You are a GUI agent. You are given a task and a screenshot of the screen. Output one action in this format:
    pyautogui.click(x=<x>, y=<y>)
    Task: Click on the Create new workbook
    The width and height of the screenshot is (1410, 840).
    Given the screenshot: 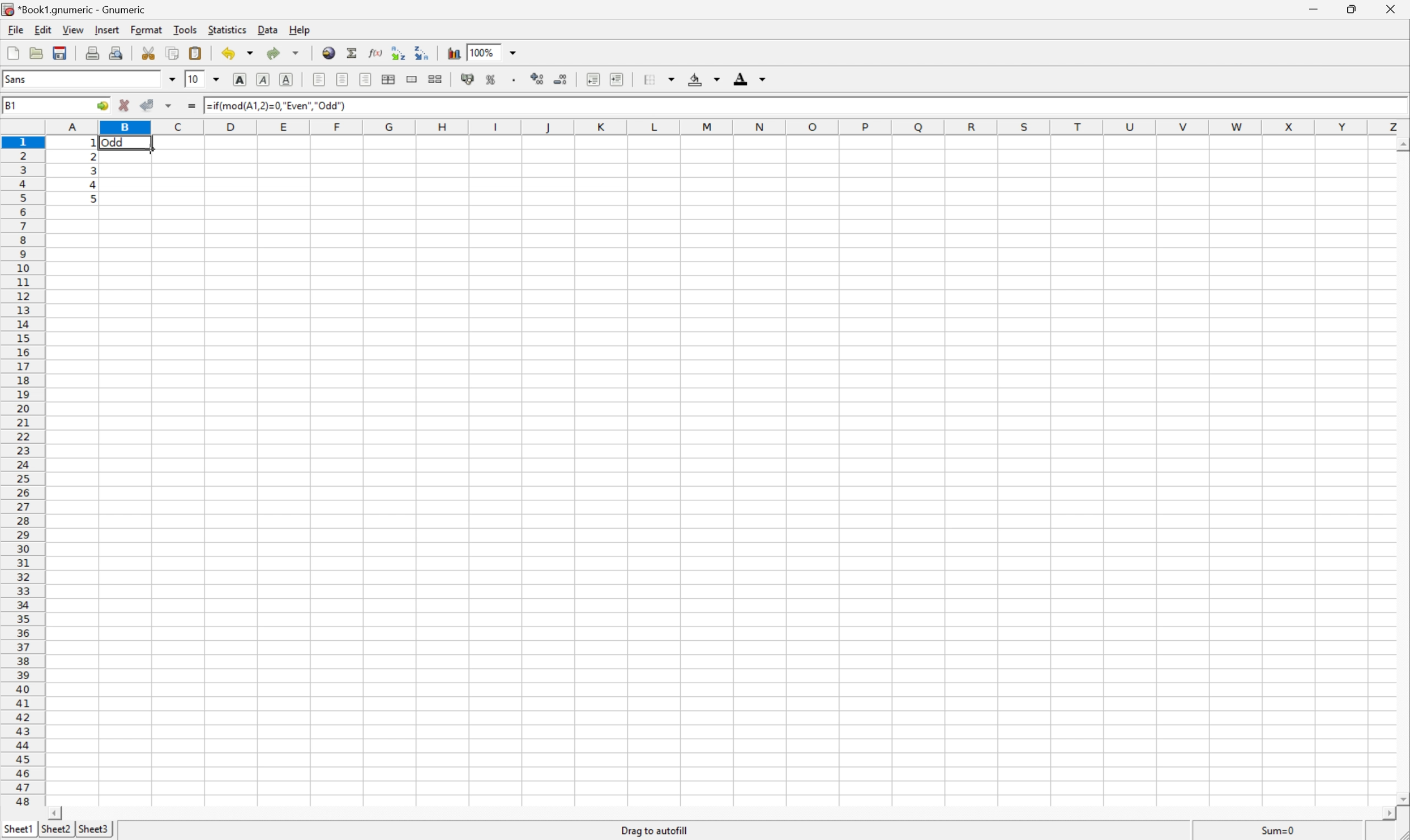 What is the action you would take?
    pyautogui.click(x=11, y=50)
    